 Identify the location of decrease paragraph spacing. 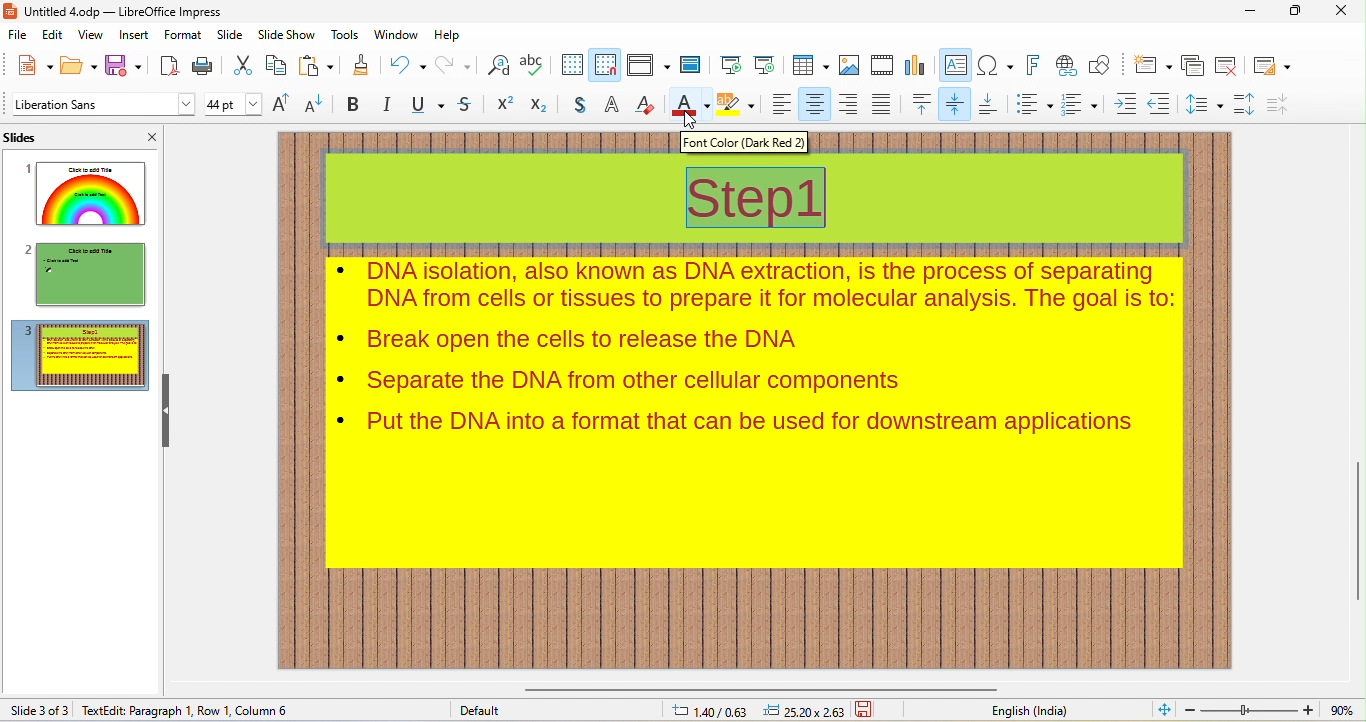
(1283, 103).